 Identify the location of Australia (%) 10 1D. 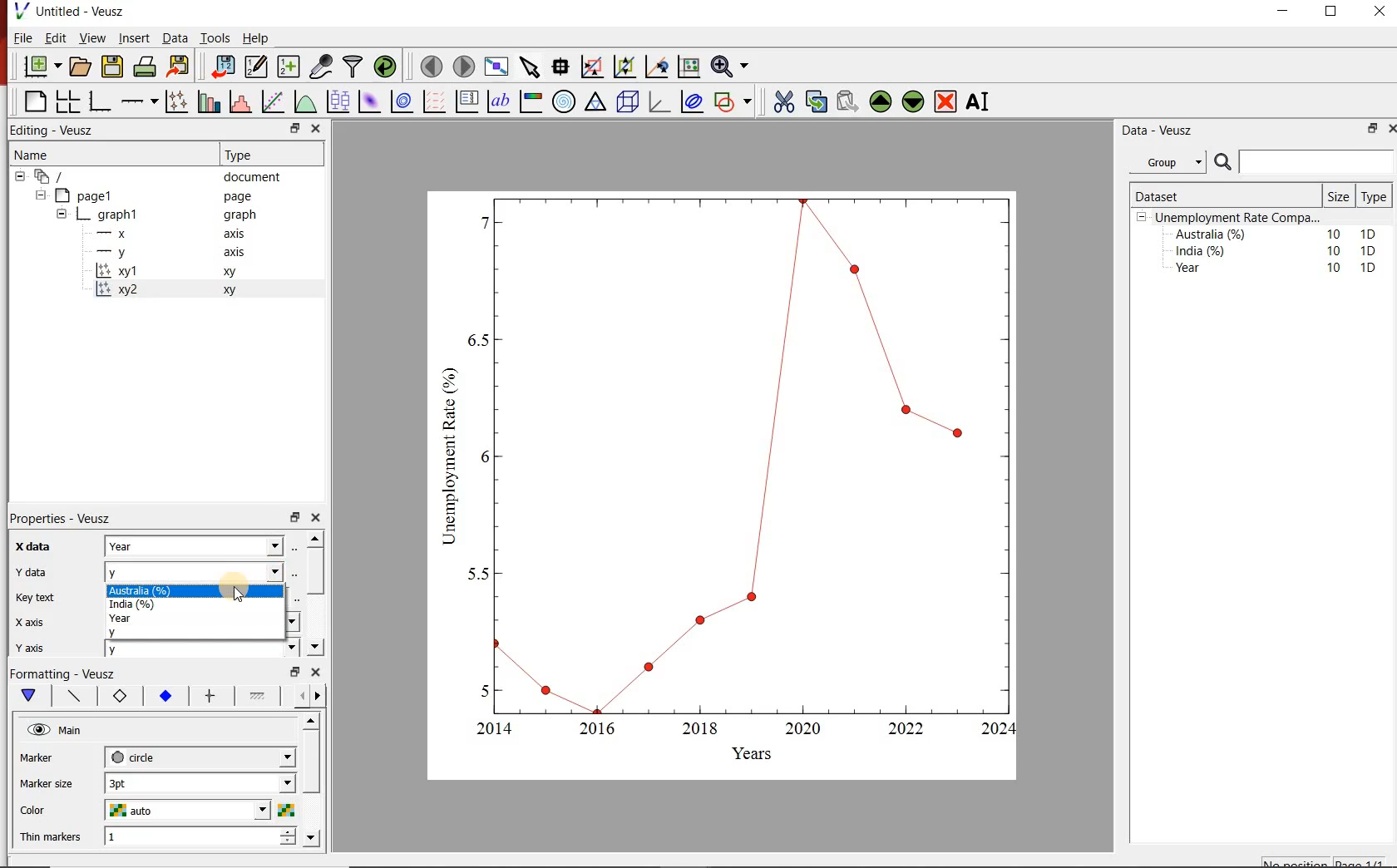
(1277, 234).